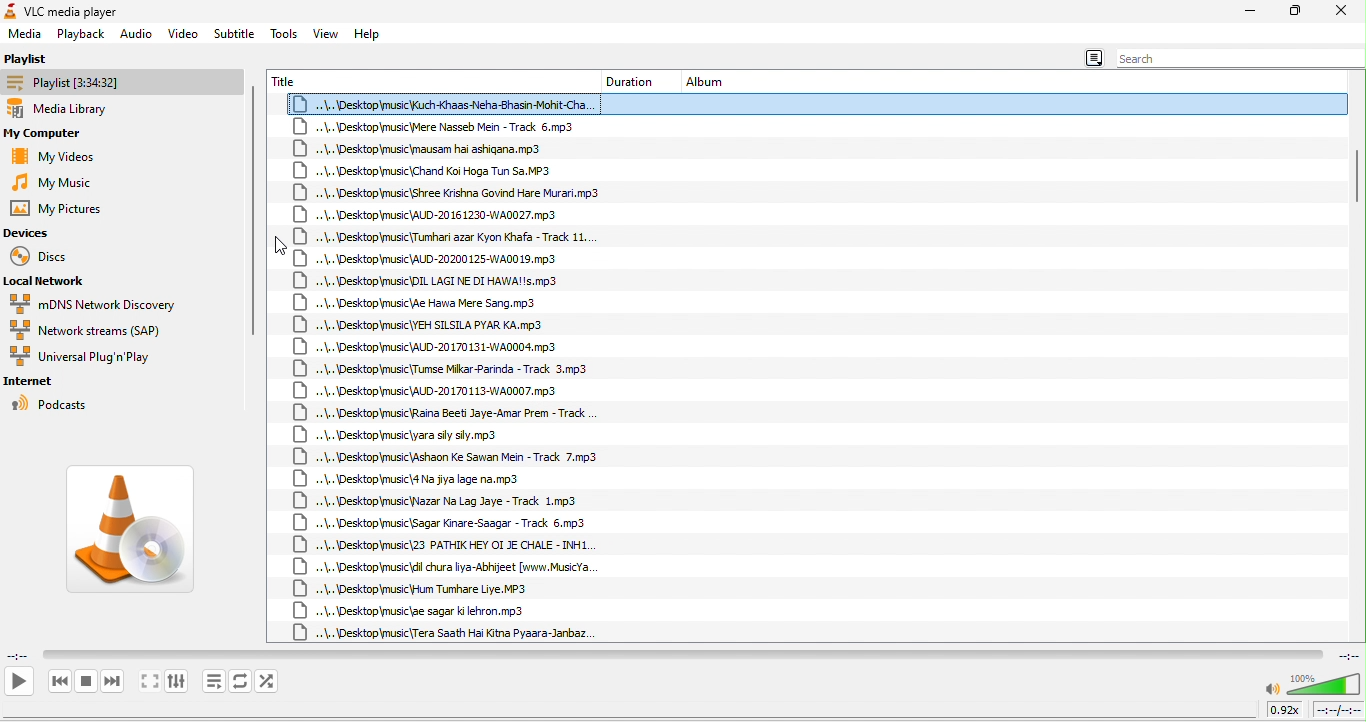 This screenshot has width=1366, height=722. I want to click on volume, so click(1324, 684).